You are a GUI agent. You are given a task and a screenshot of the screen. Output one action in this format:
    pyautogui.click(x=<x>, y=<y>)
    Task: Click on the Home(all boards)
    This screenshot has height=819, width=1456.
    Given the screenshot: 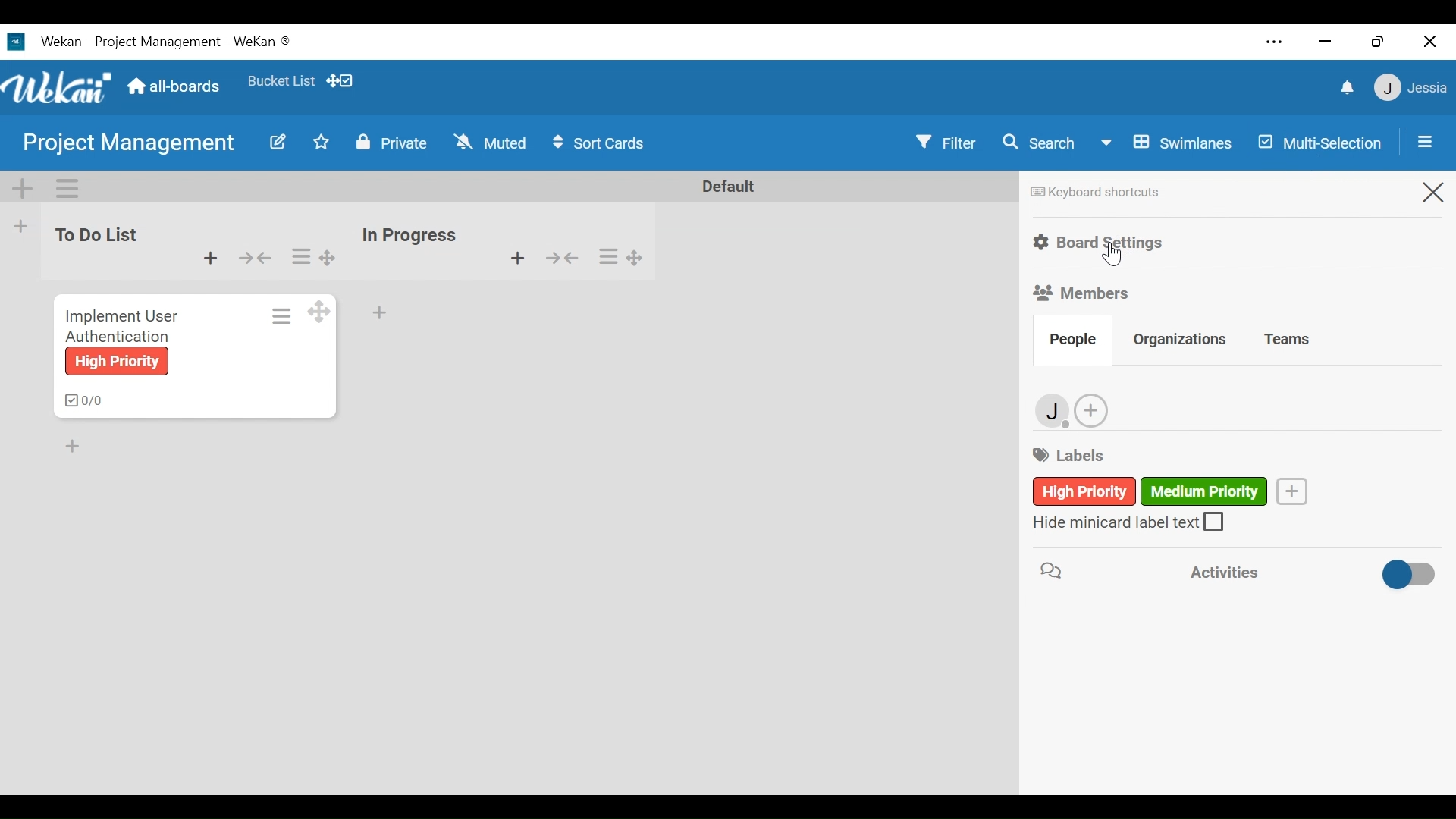 What is the action you would take?
    pyautogui.click(x=175, y=82)
    